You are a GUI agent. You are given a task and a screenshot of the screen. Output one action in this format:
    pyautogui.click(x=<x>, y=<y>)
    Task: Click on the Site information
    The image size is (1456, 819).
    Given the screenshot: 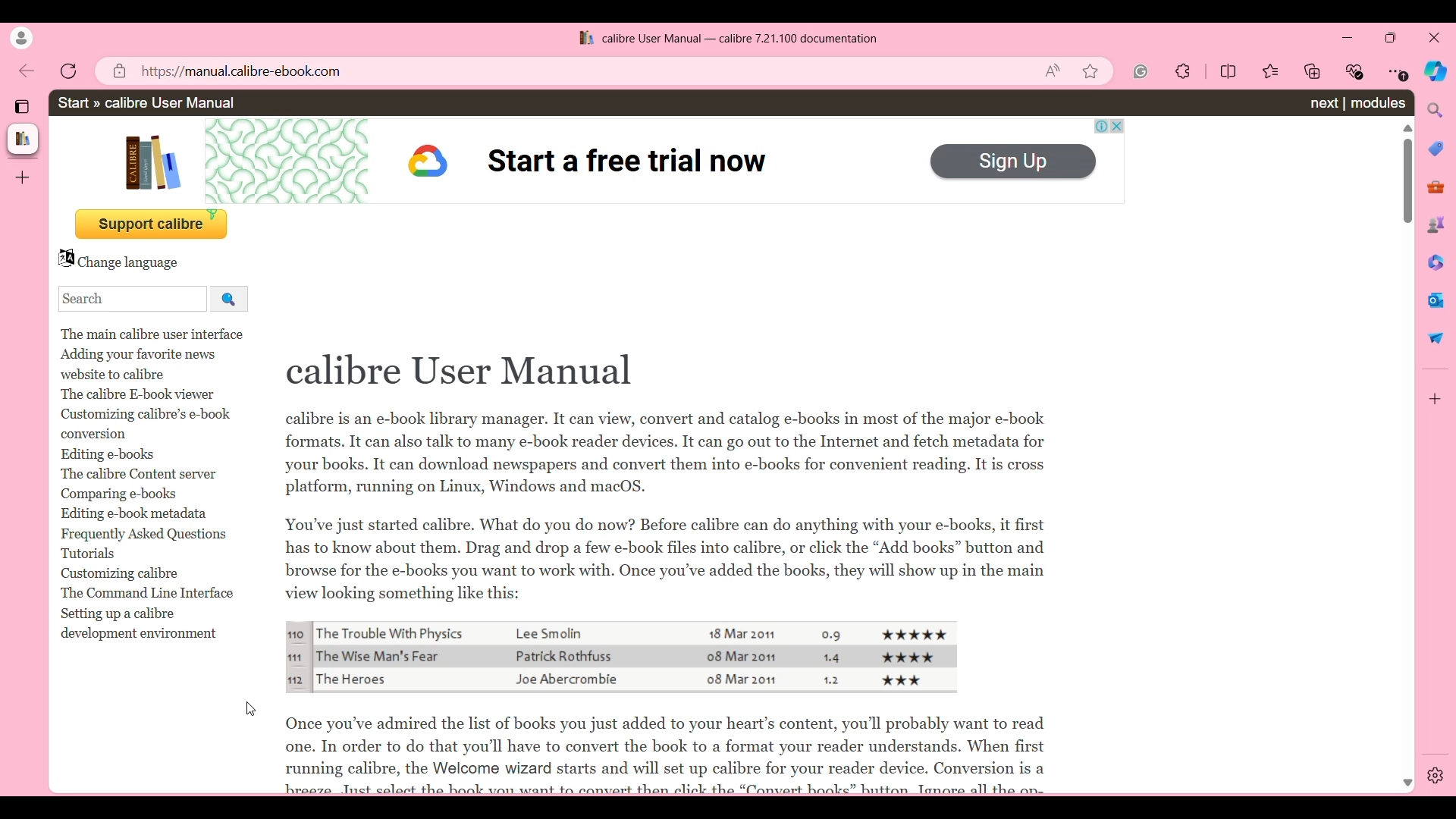 What is the action you would take?
    pyautogui.click(x=120, y=71)
    